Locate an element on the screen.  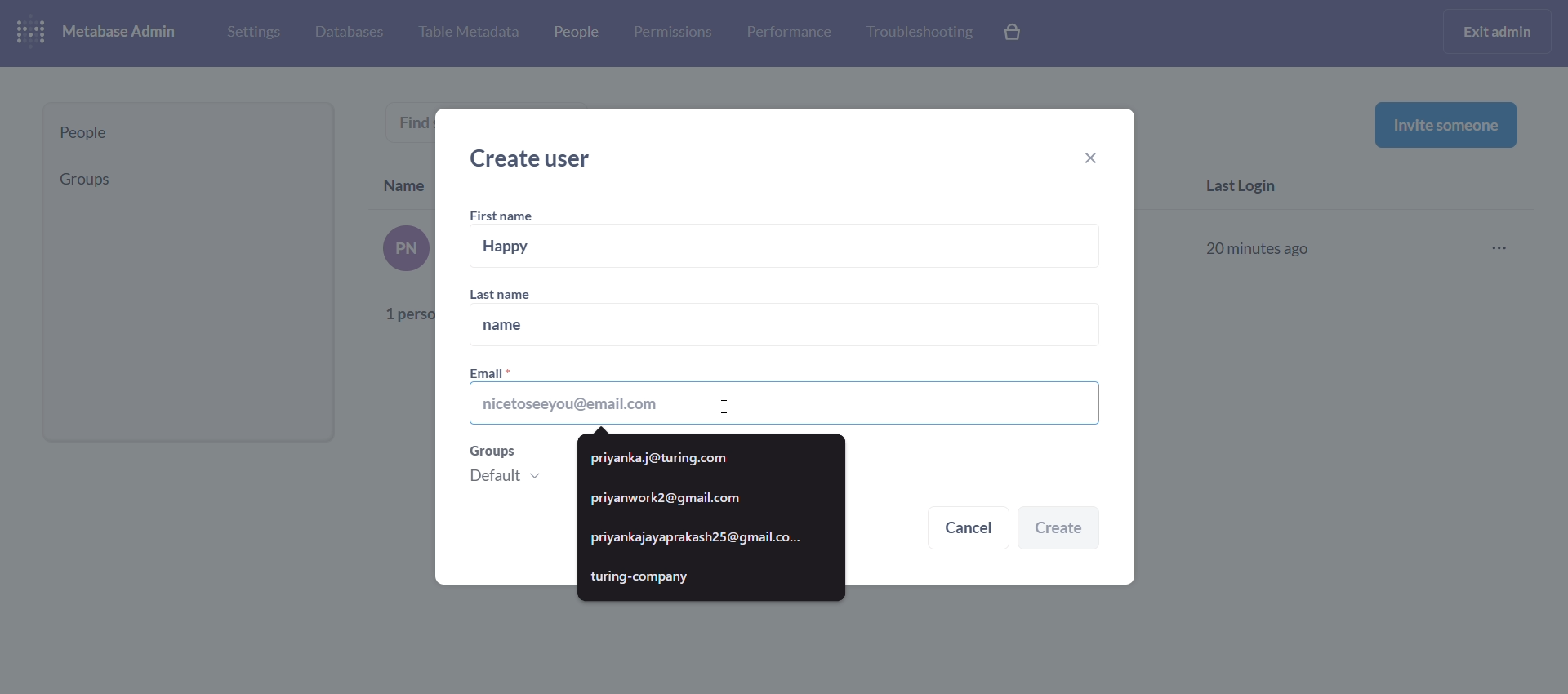
settings is located at coordinates (252, 31).